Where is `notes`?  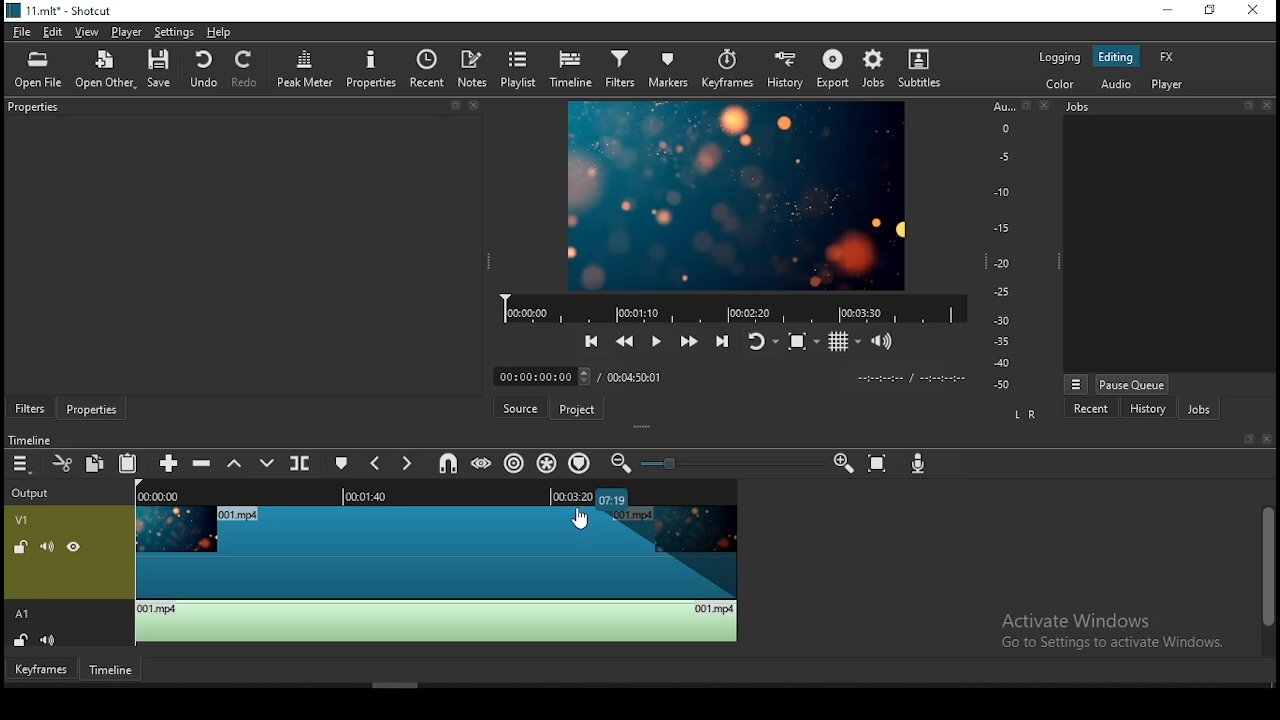 notes is located at coordinates (474, 69).